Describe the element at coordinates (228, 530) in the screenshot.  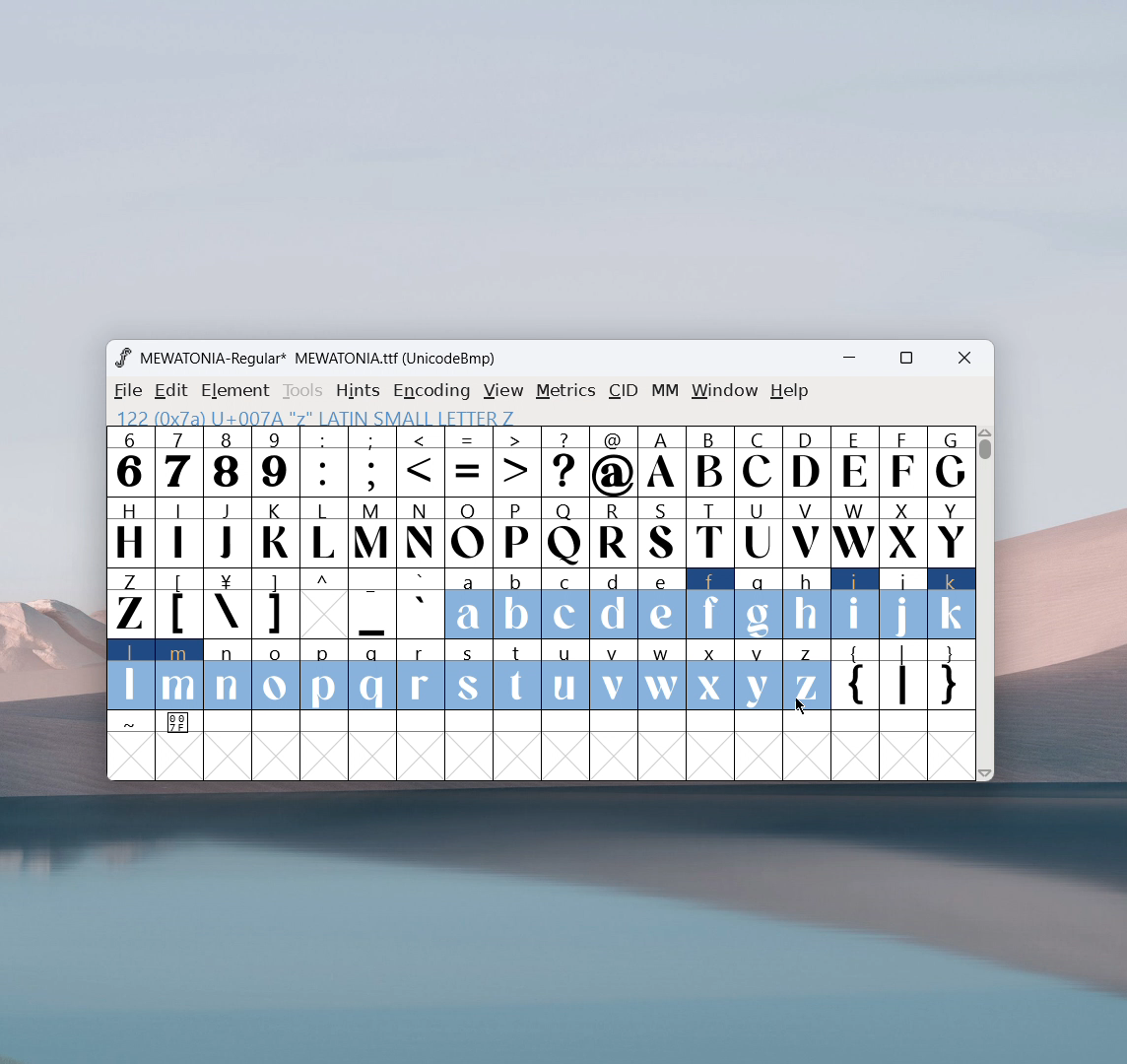
I see `J` at that location.